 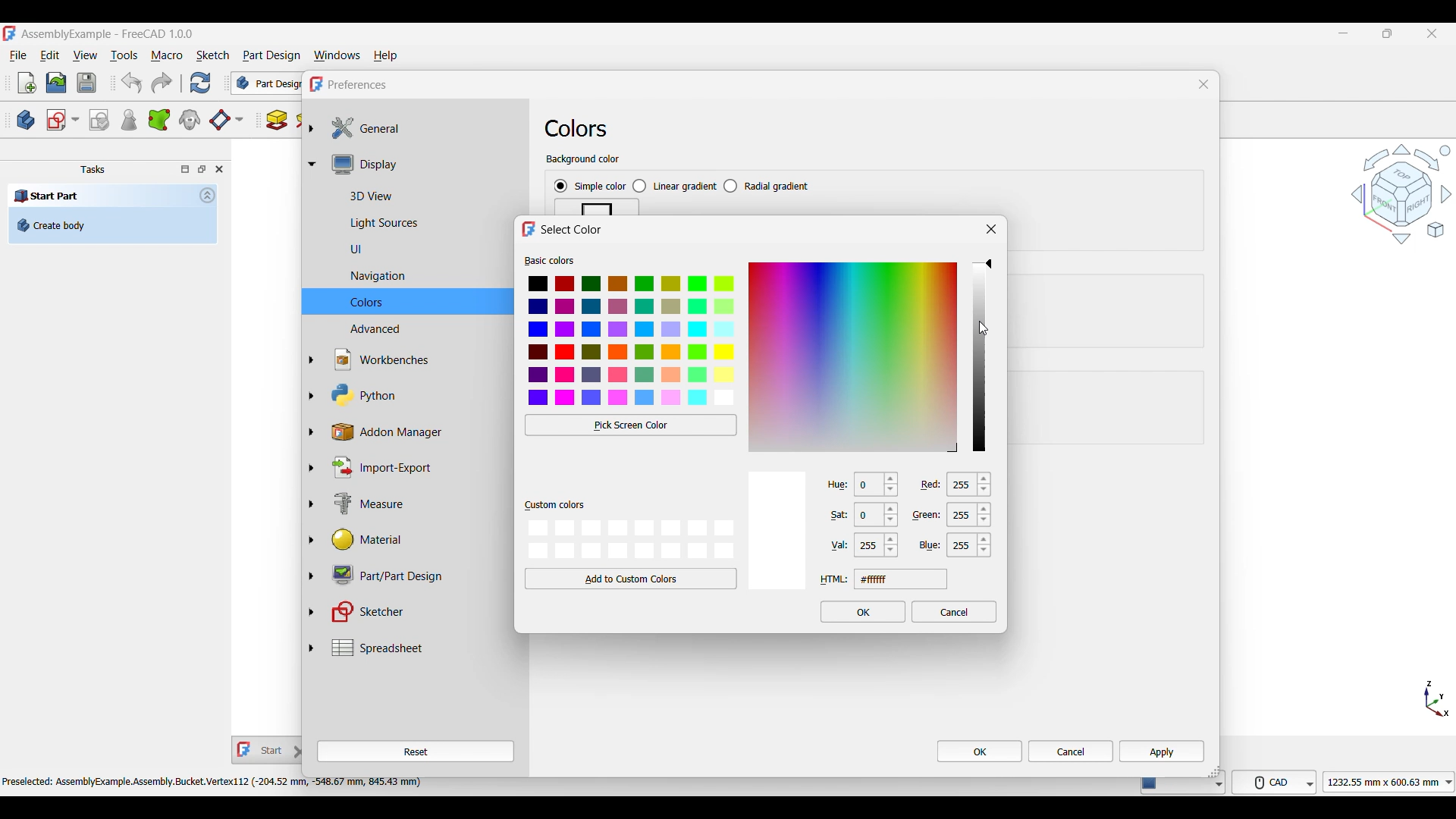 I want to click on Part/Part design, so click(x=416, y=574).